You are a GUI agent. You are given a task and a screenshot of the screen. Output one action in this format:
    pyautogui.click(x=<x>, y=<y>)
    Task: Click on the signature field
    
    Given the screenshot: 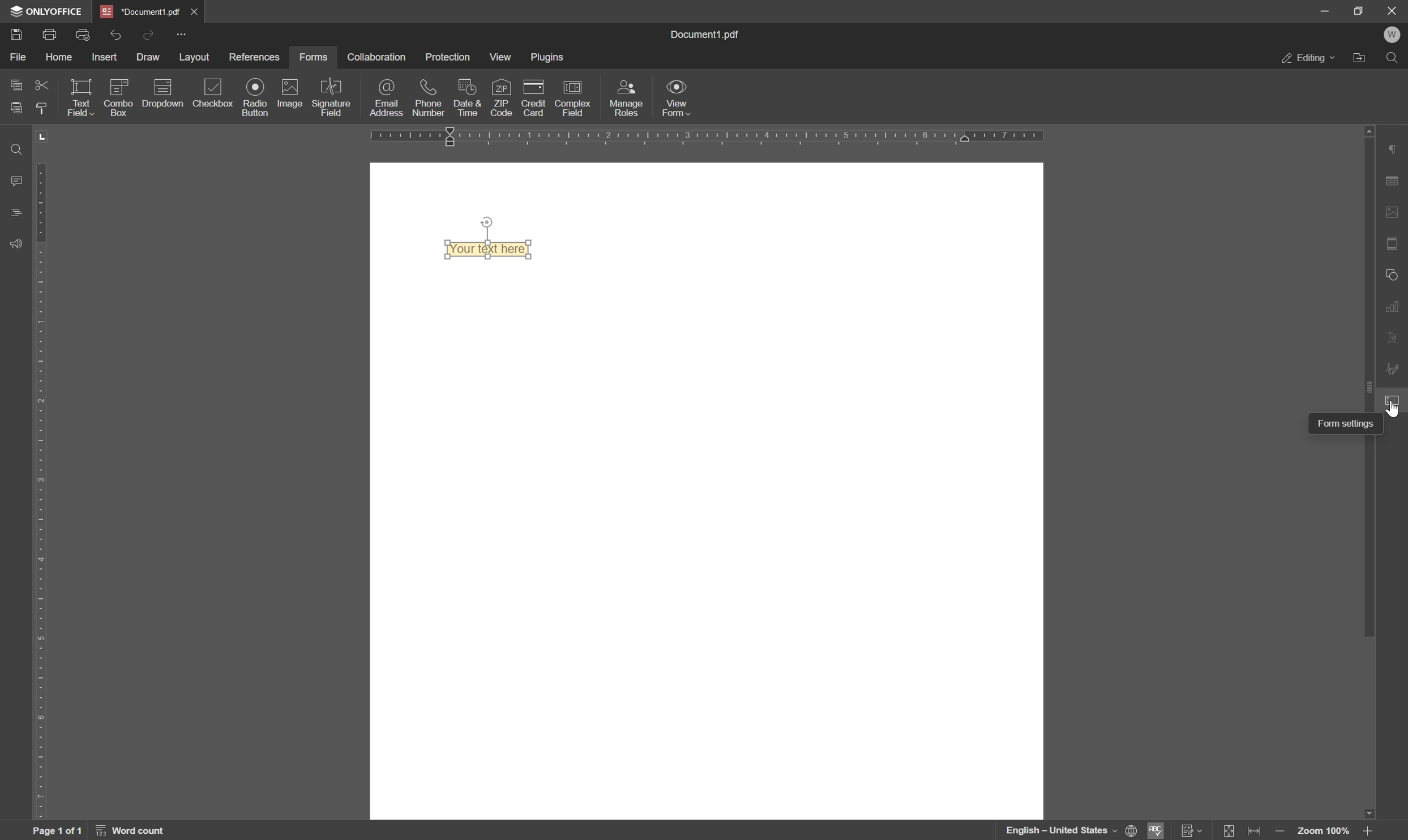 What is the action you would take?
    pyautogui.click(x=335, y=96)
    